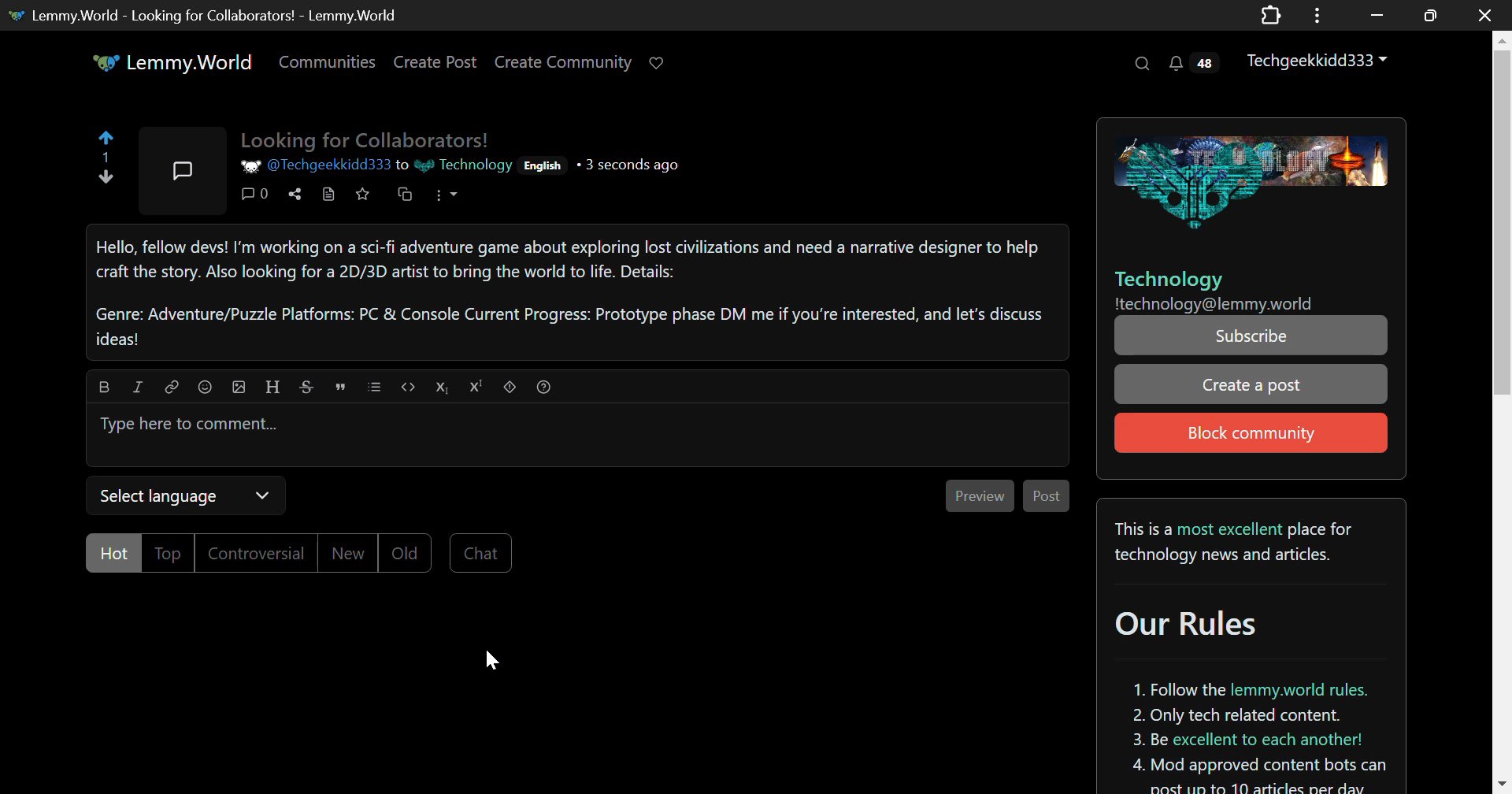 Image resolution: width=1512 pixels, height=794 pixels. Describe the element at coordinates (329, 63) in the screenshot. I see `Communities` at that location.